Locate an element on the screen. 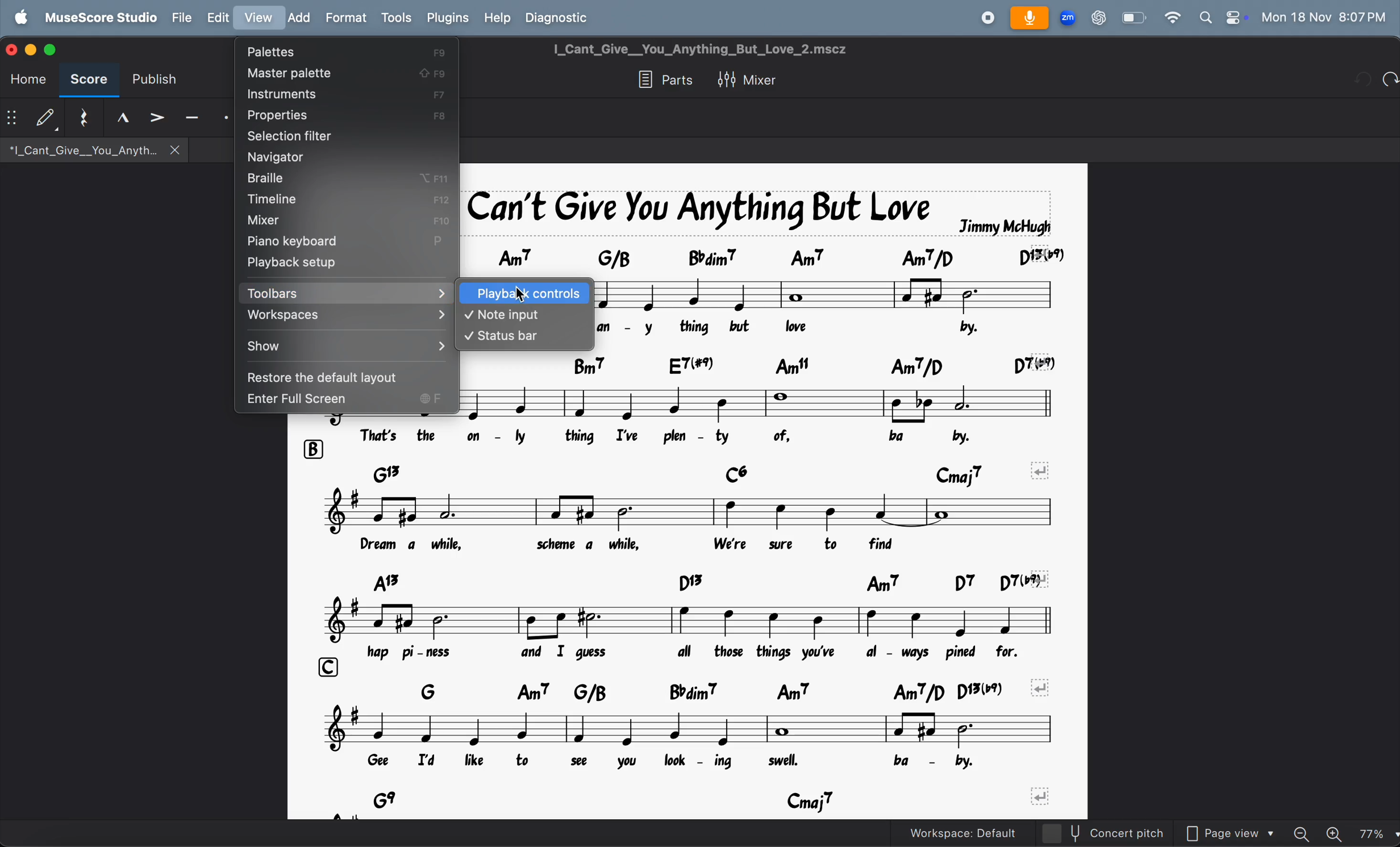 The width and height of the screenshot is (1400, 847). properties is located at coordinates (346, 115).